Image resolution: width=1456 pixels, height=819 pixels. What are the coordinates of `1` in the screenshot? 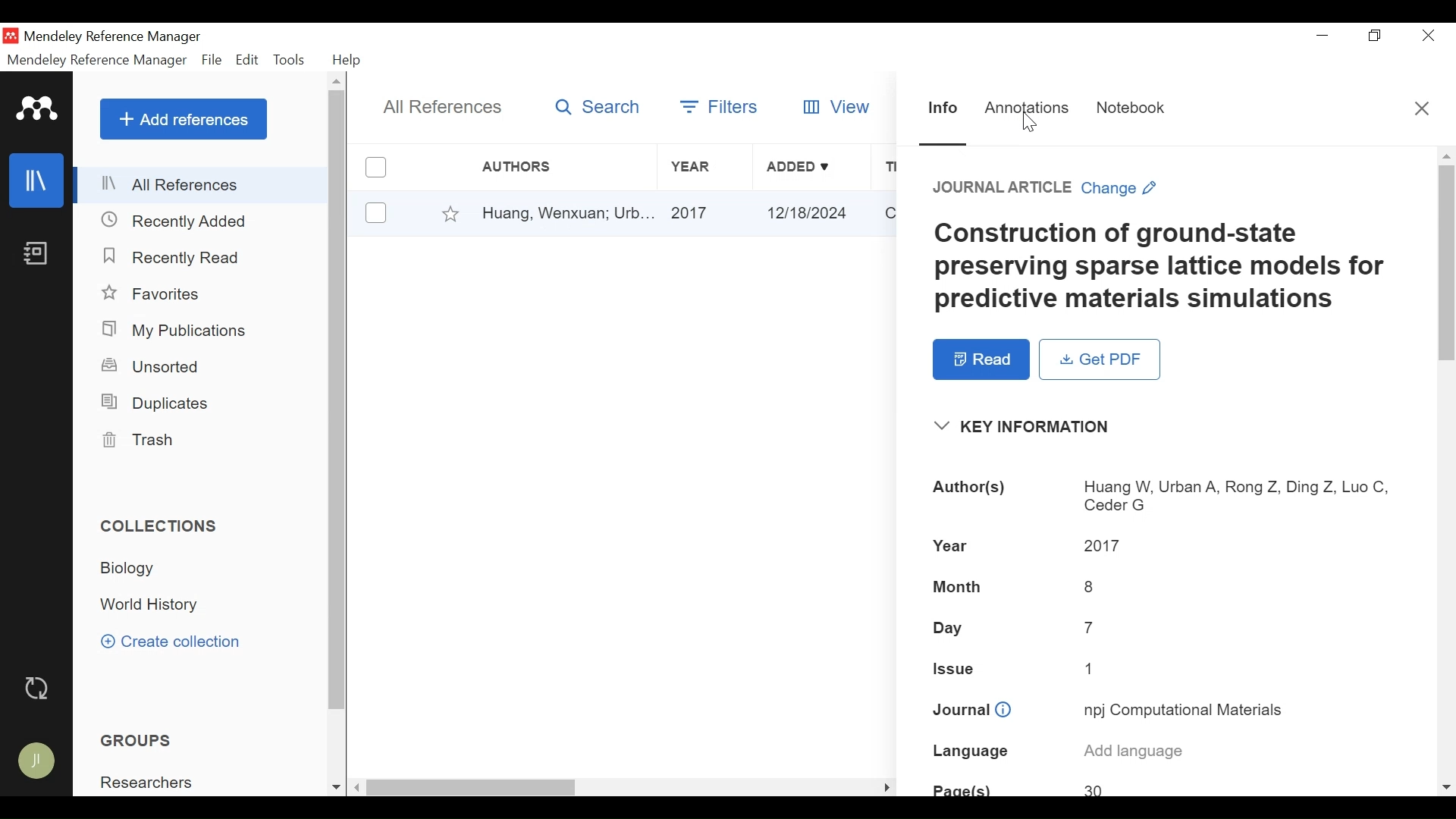 It's located at (1091, 669).